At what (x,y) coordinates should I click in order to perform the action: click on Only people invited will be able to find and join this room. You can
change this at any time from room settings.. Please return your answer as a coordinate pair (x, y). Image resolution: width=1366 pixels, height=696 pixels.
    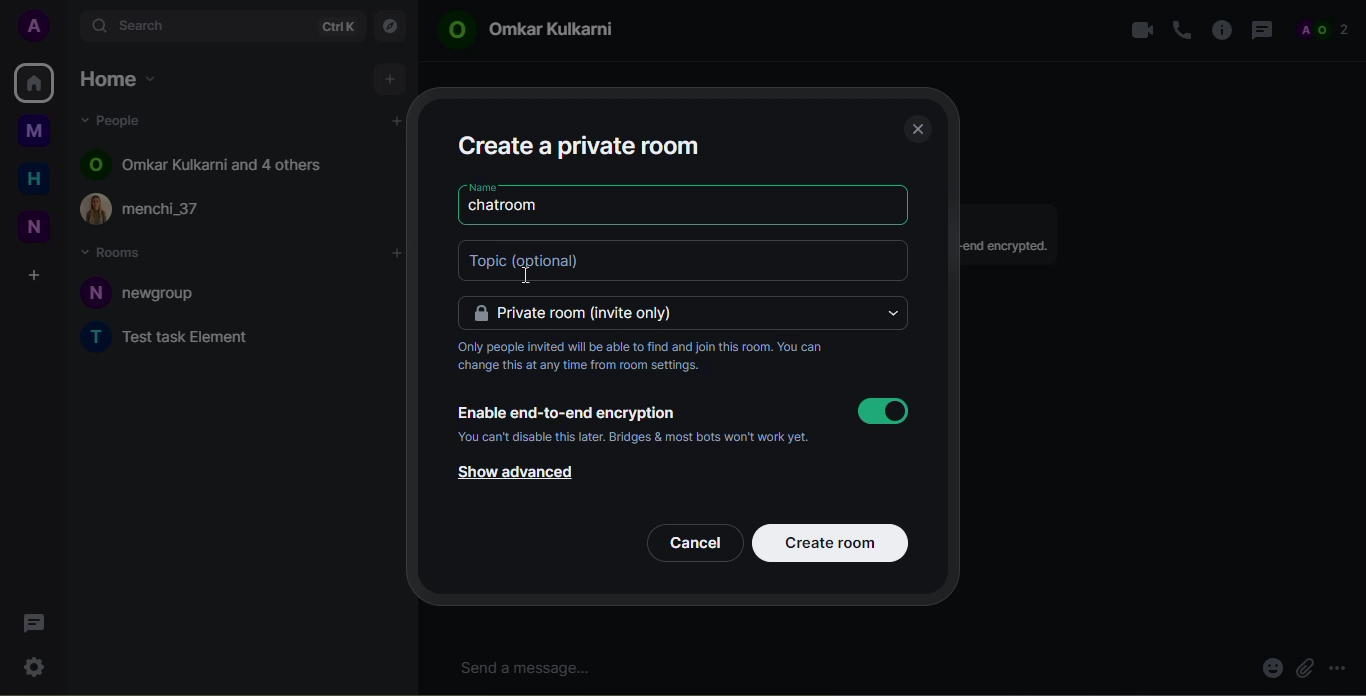
    Looking at the image, I should click on (645, 357).